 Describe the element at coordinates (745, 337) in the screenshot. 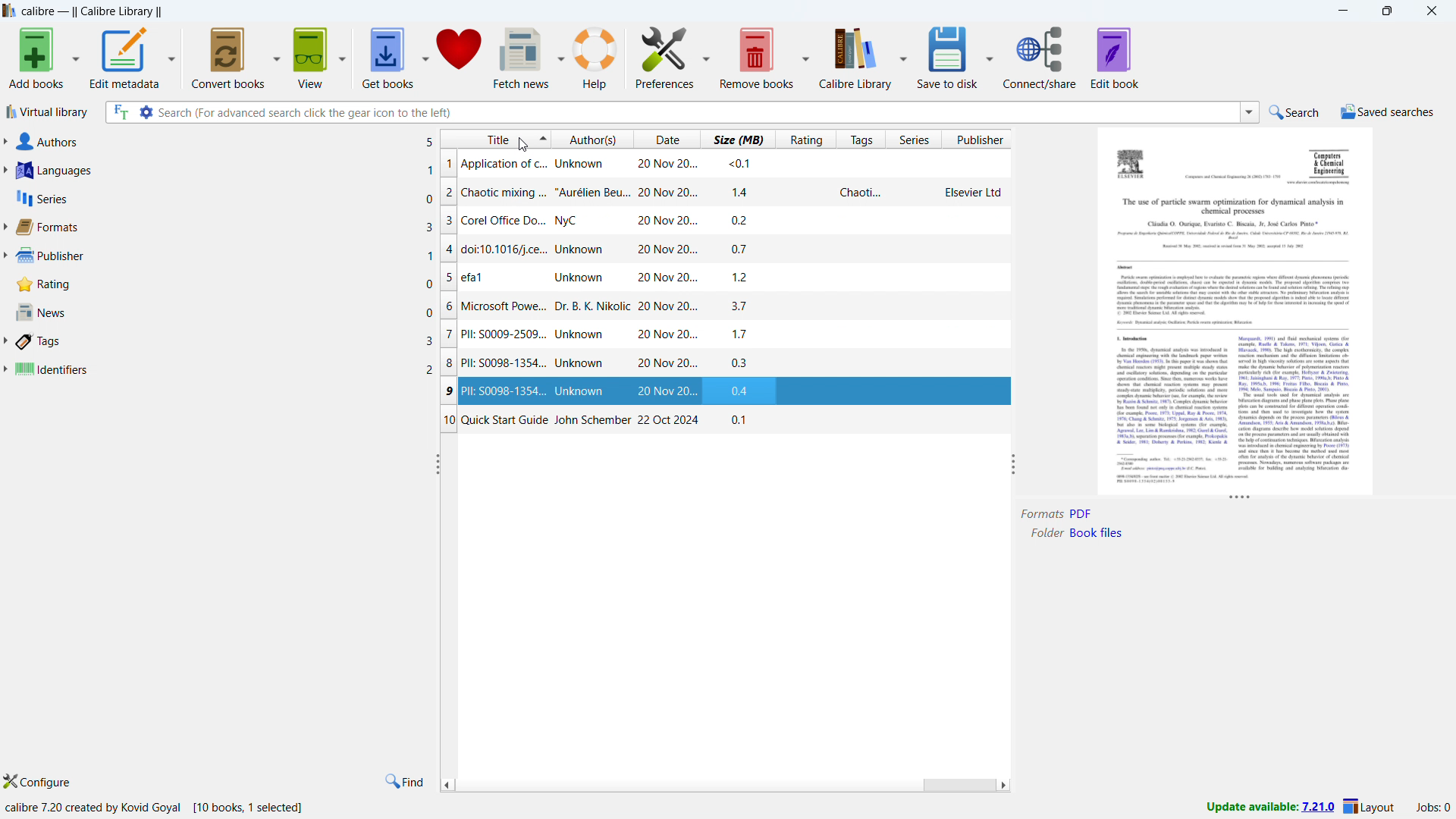

I see `17` at that location.